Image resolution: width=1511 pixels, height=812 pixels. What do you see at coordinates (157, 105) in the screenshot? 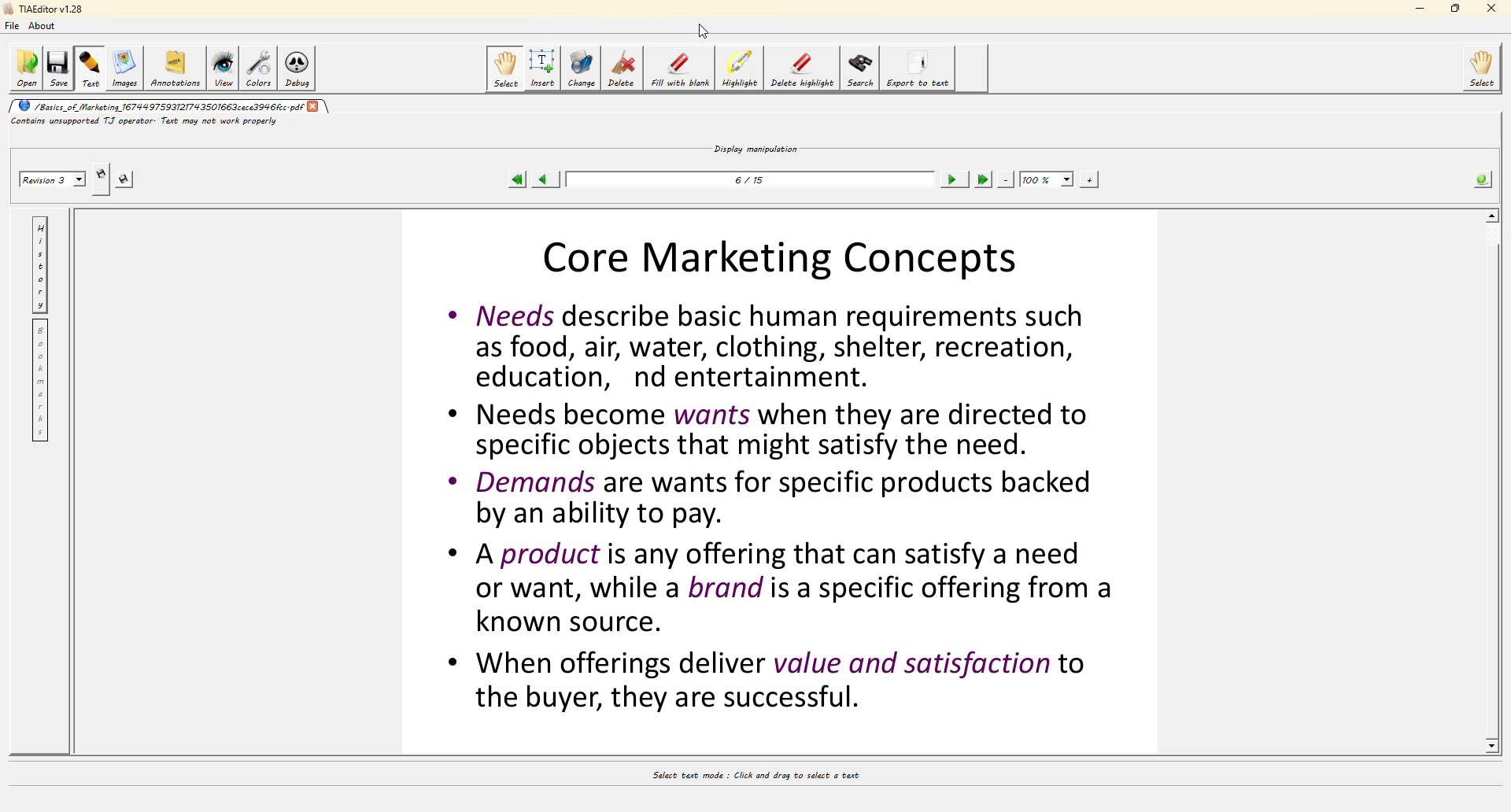
I see `/basics_of_marketing_1674497593121743501663cece3946fcc.pdf` at bounding box center [157, 105].